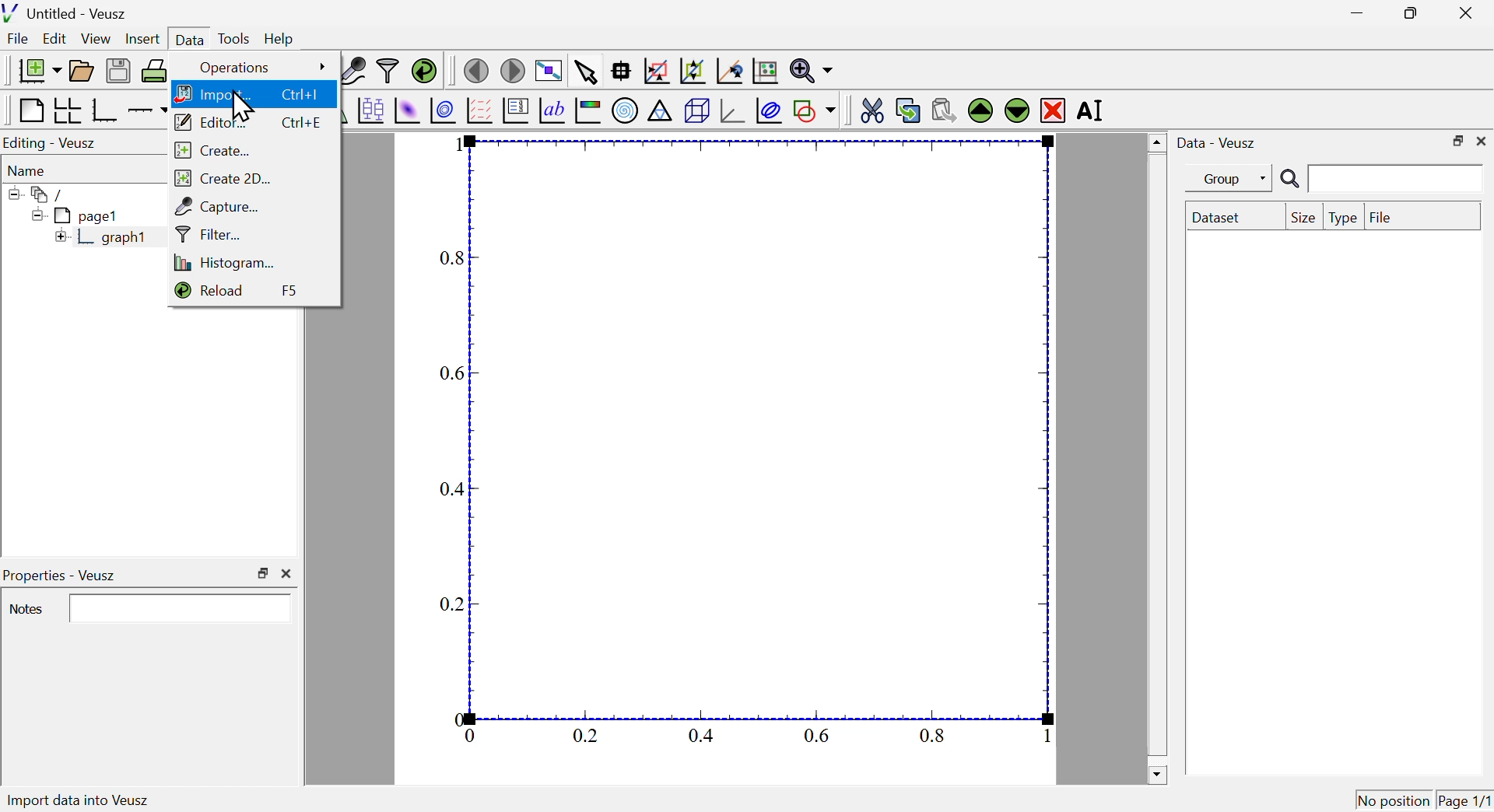  Describe the element at coordinates (585, 71) in the screenshot. I see `select items from the graph or scroll` at that location.